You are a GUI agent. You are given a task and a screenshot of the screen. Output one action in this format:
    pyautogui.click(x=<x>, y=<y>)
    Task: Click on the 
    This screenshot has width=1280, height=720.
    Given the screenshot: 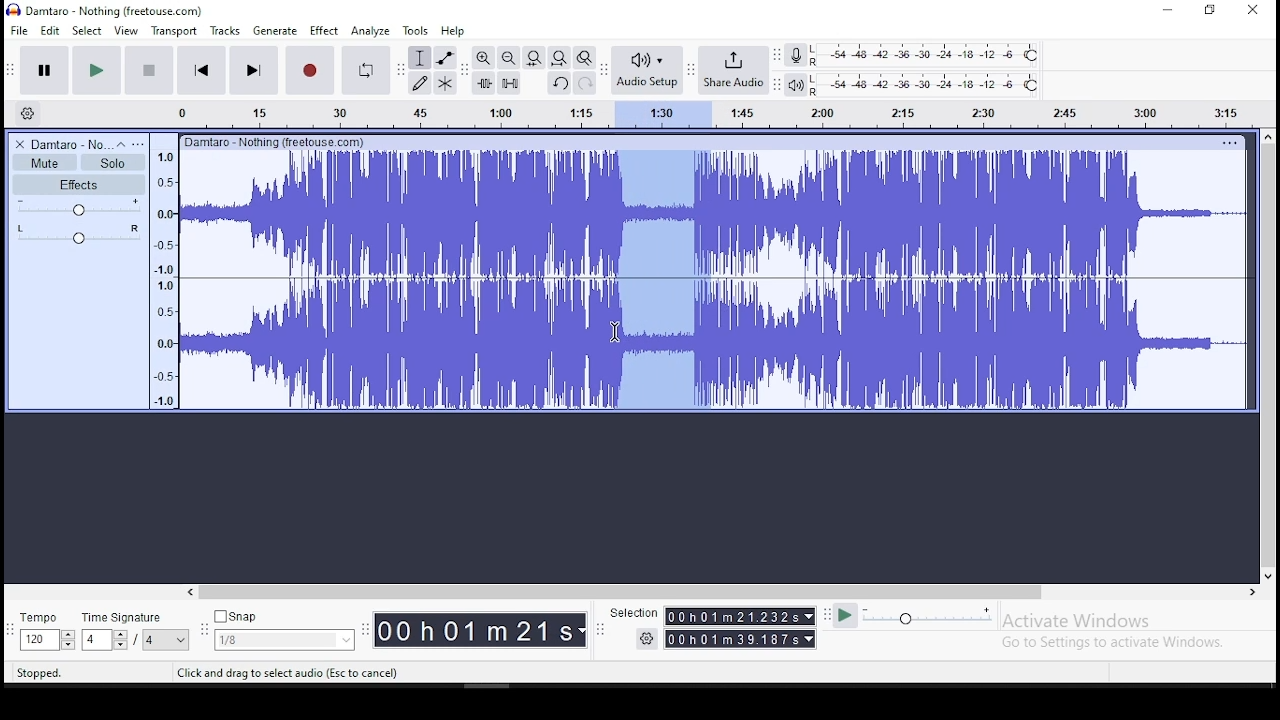 What is the action you would take?
    pyautogui.click(x=366, y=628)
    